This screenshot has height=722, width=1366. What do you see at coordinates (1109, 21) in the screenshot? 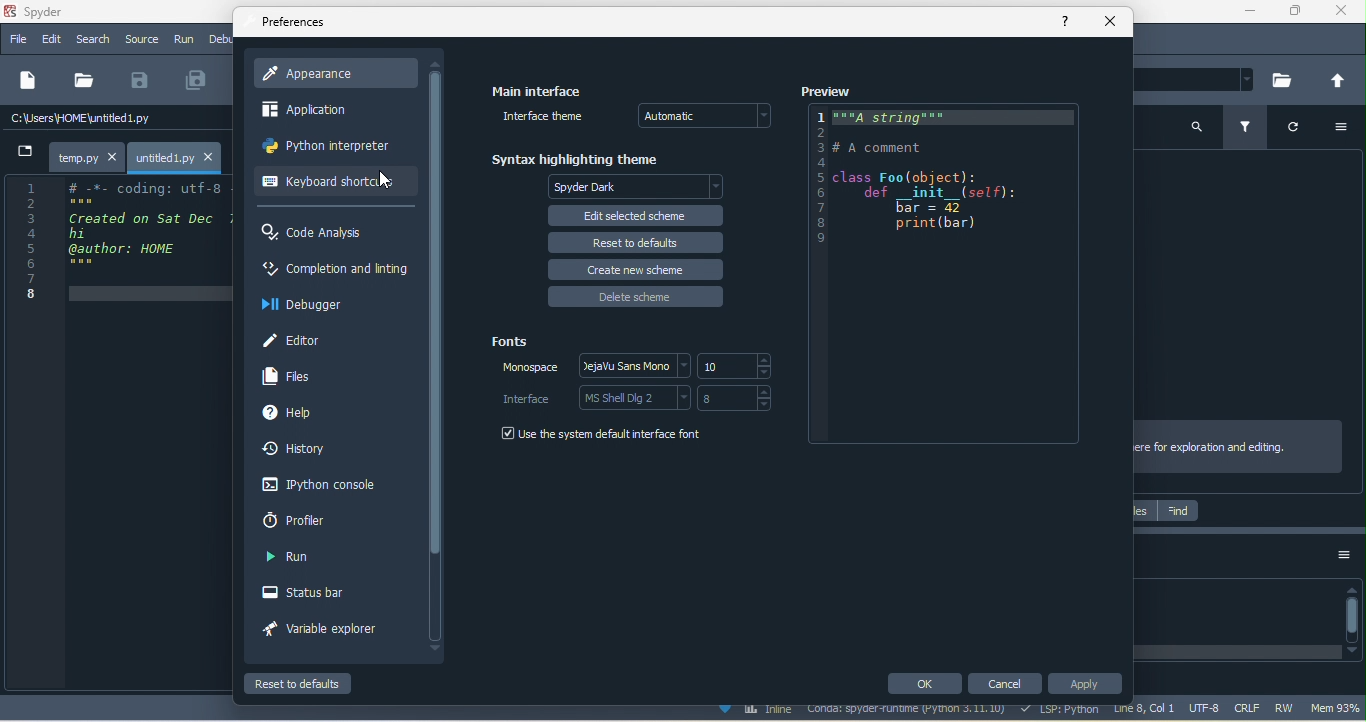
I see `close` at bounding box center [1109, 21].